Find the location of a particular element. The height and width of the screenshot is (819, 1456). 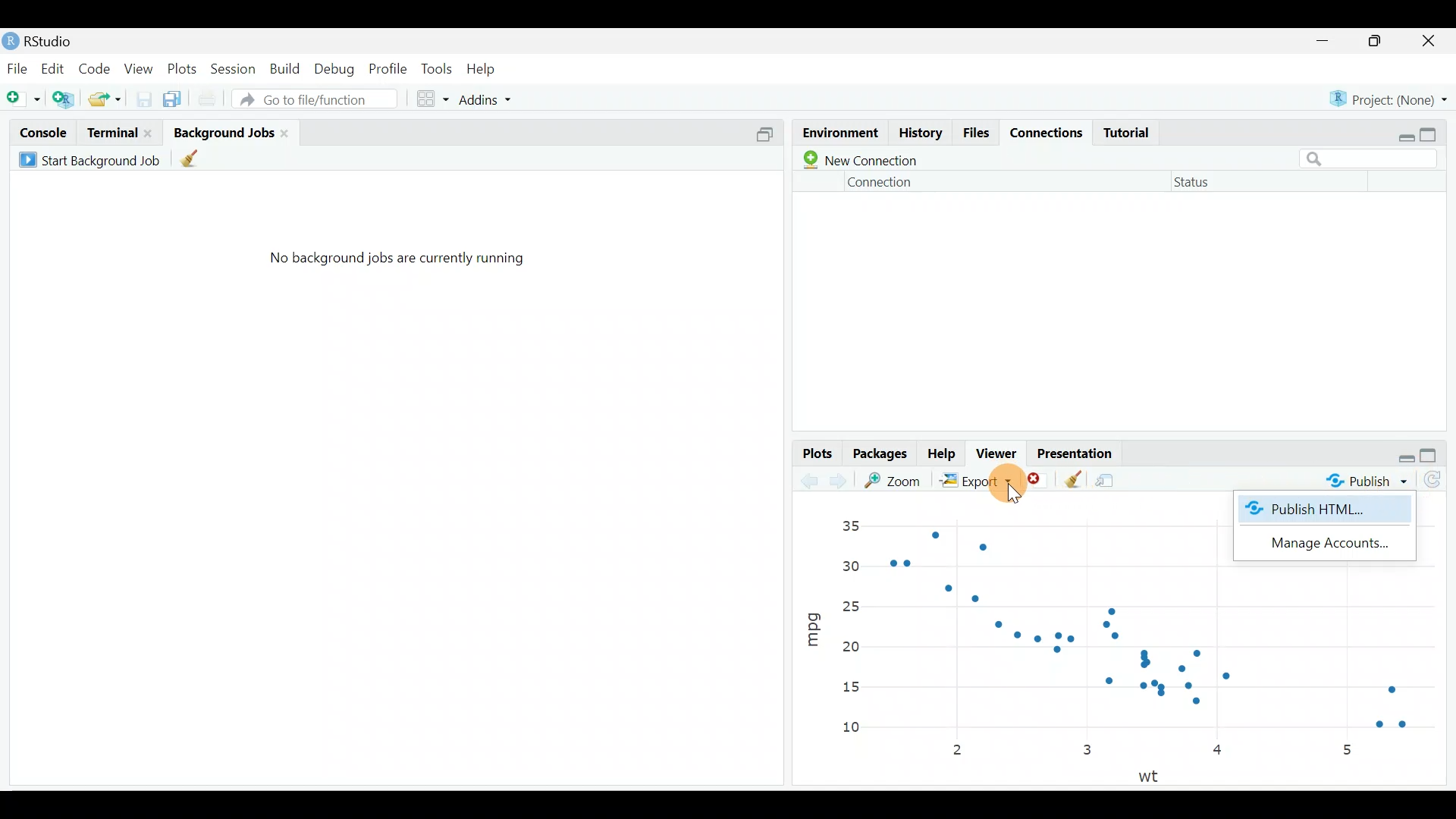

2 is located at coordinates (961, 752).